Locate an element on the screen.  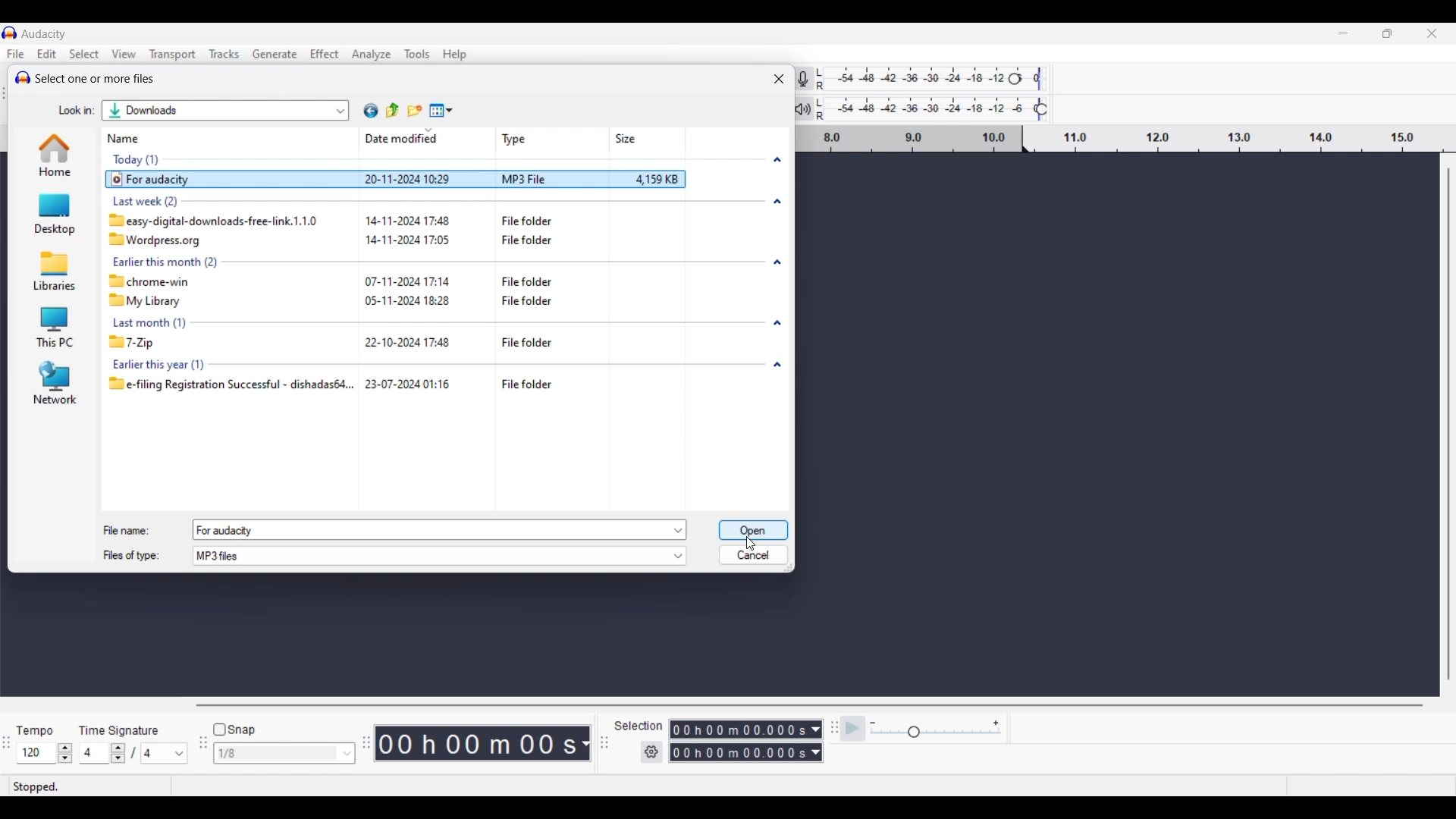
Recording level is located at coordinates (940, 80).